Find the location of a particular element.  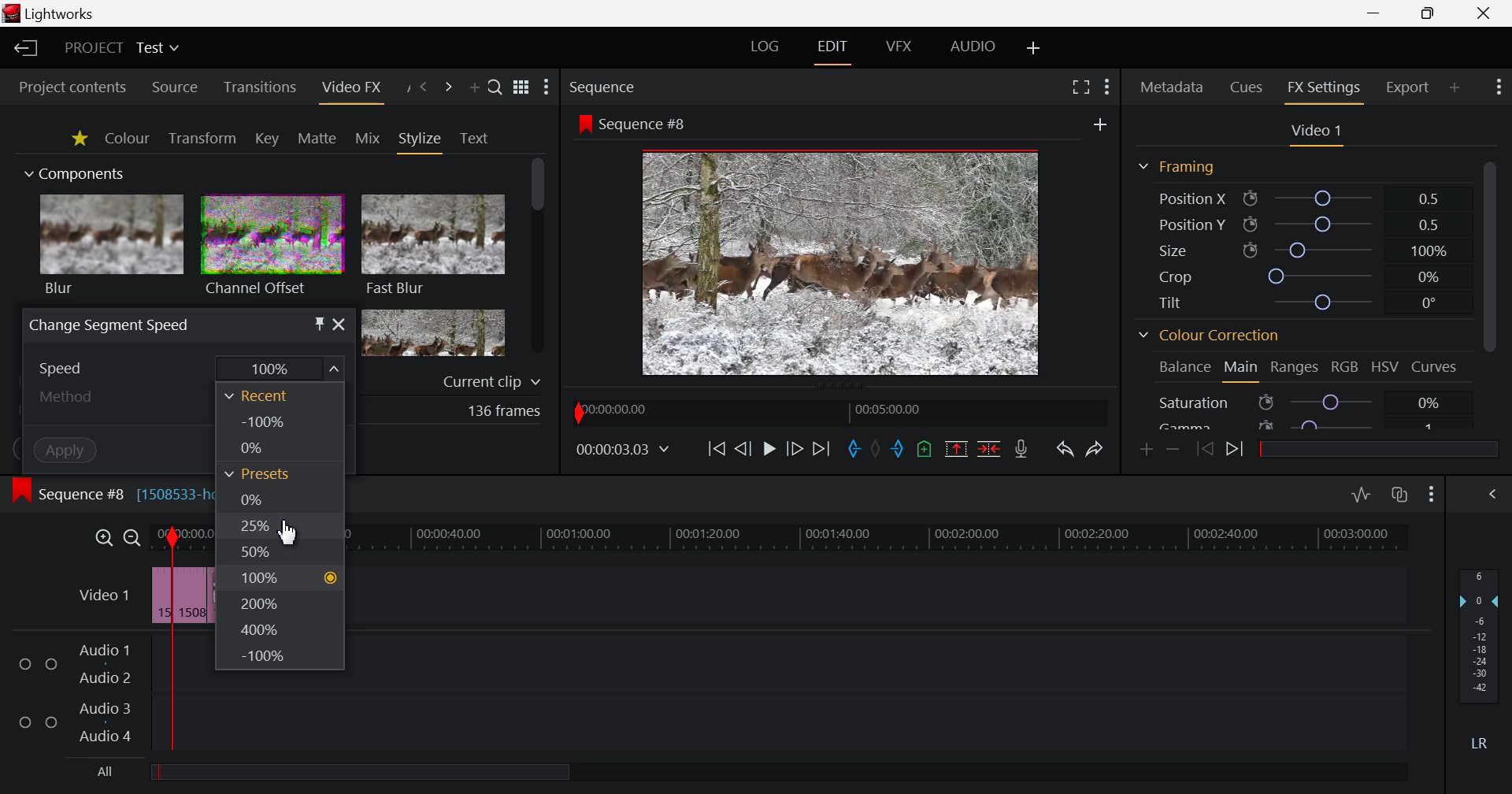

Tilt is located at coordinates (1295, 302).